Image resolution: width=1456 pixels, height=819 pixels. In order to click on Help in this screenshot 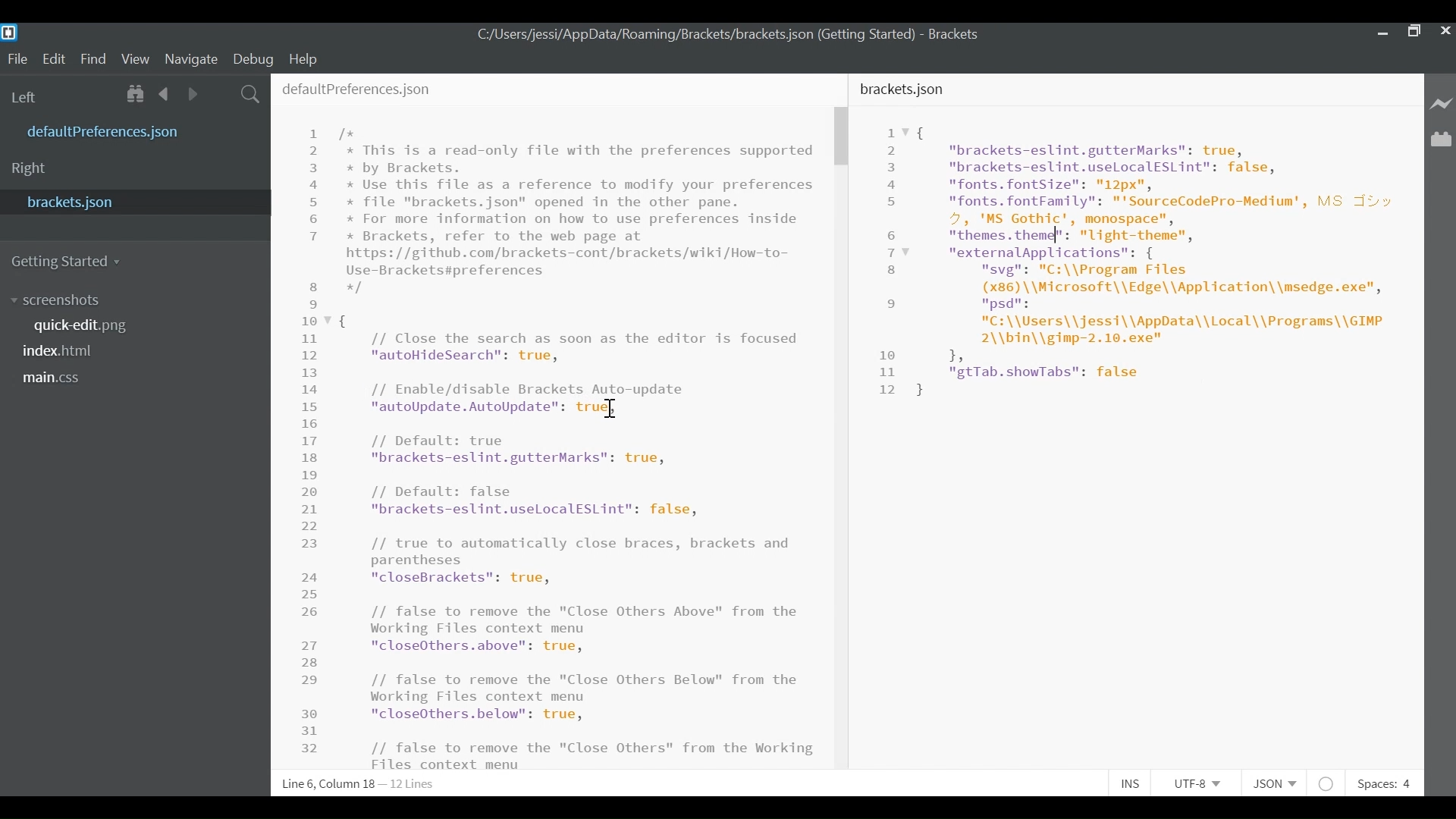, I will do `click(311, 58)`.